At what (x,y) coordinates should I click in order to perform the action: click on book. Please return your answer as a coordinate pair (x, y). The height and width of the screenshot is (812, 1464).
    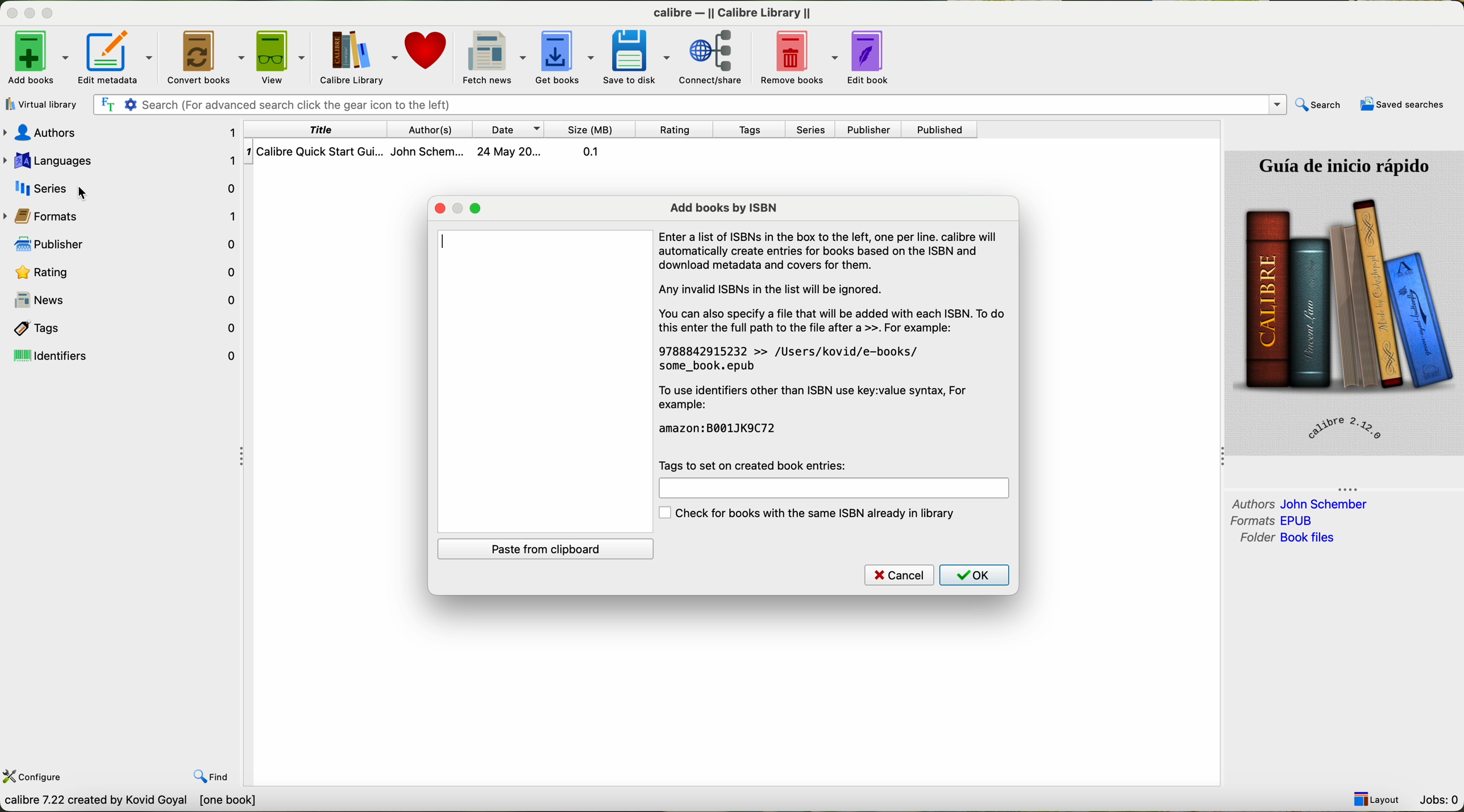
    Looking at the image, I should click on (443, 152).